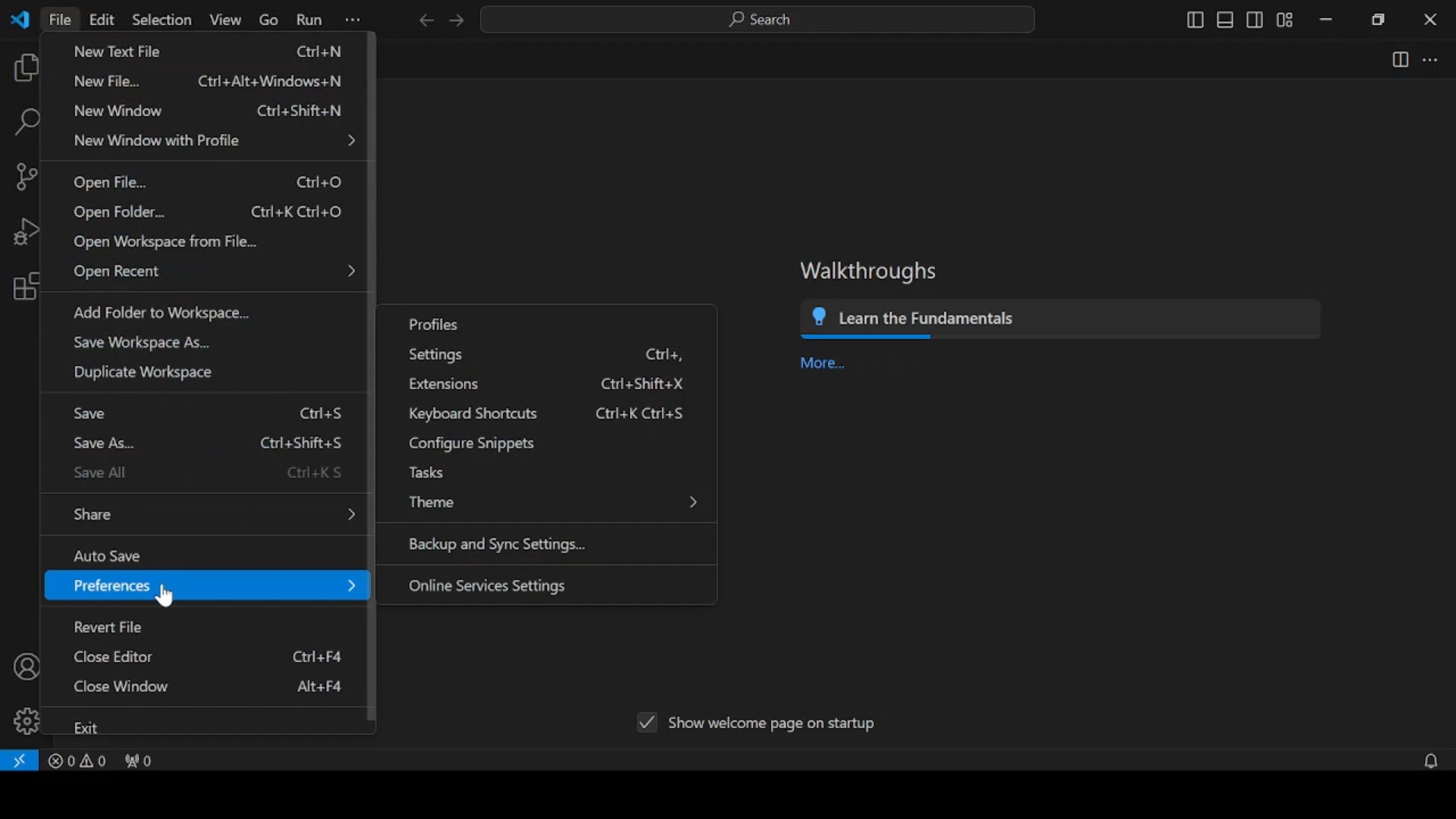 The height and width of the screenshot is (819, 1456). What do you see at coordinates (475, 444) in the screenshot?
I see `configure snippets` at bounding box center [475, 444].